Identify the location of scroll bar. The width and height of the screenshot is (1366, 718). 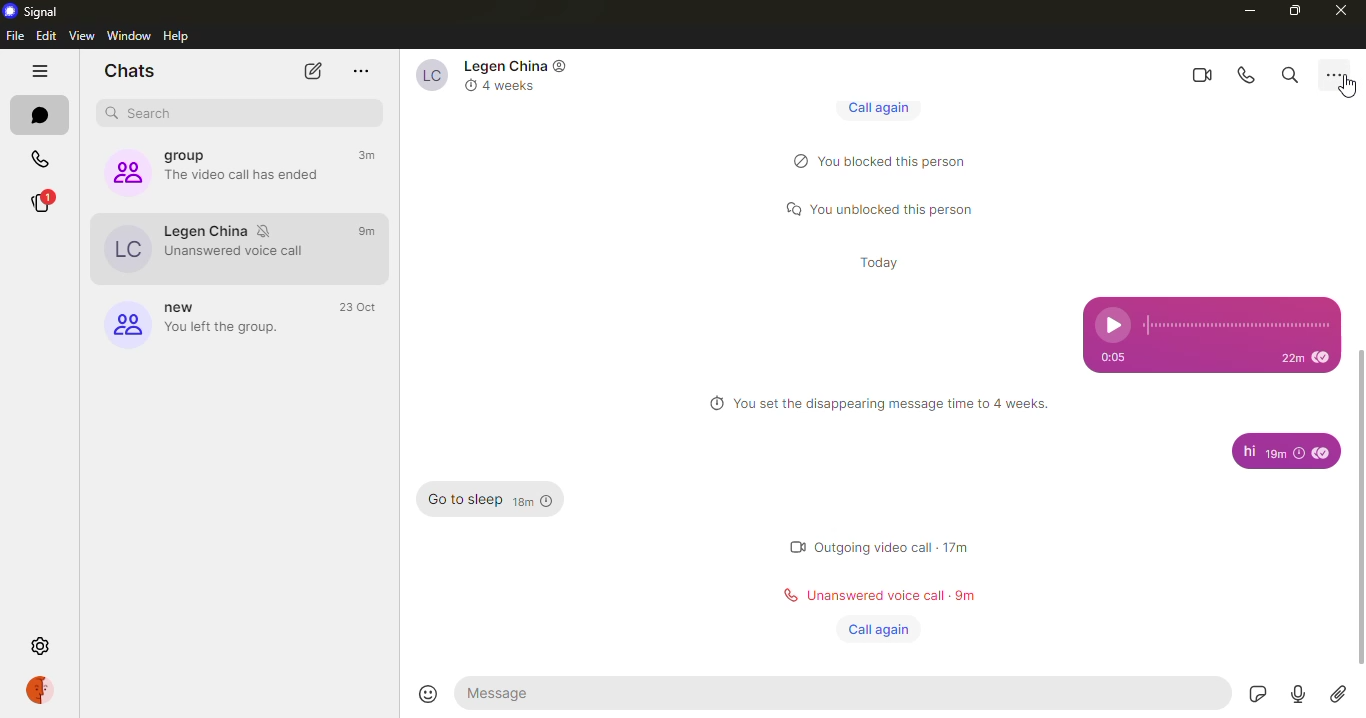
(1359, 513).